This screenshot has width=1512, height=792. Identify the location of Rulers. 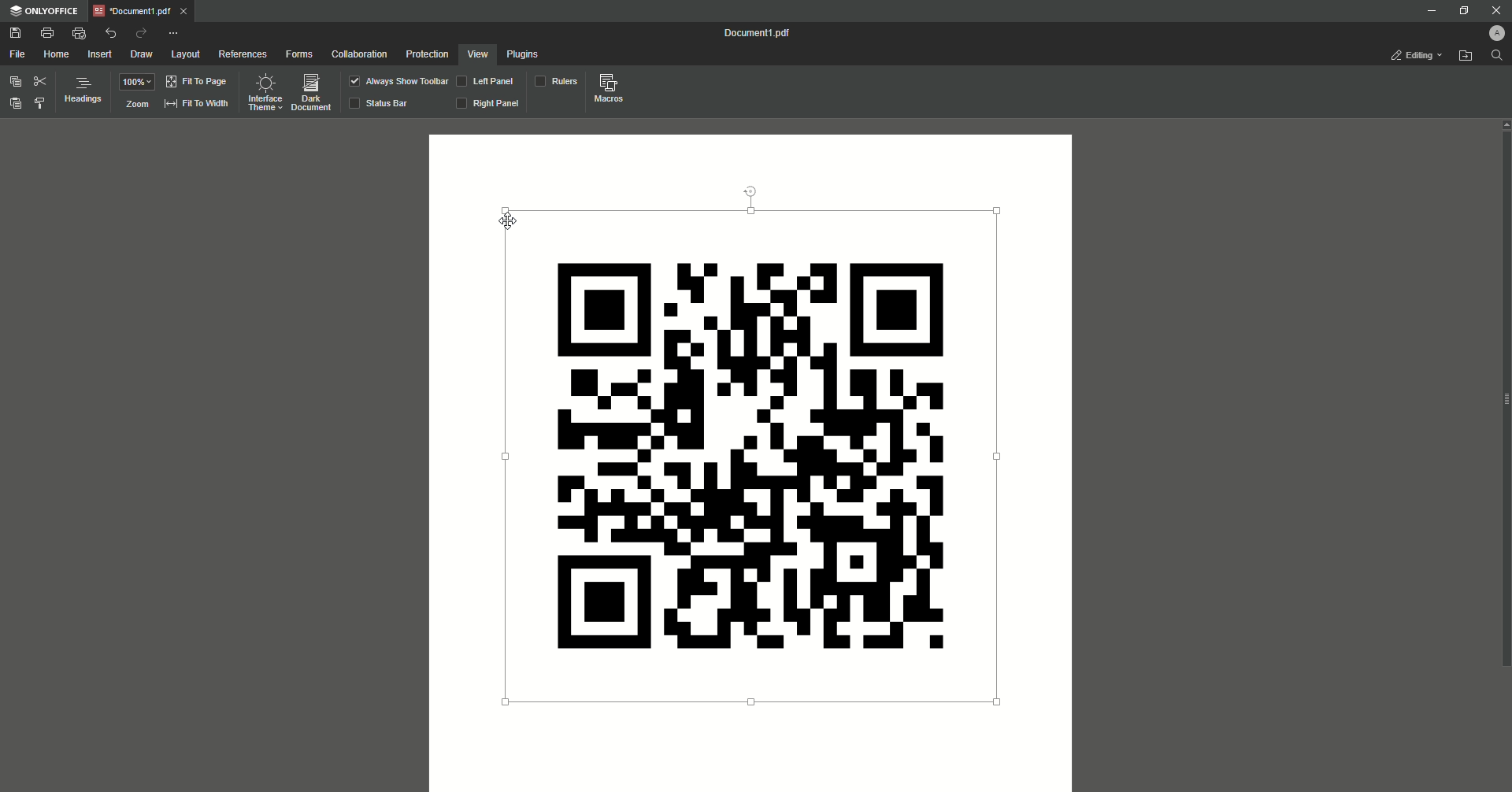
(555, 80).